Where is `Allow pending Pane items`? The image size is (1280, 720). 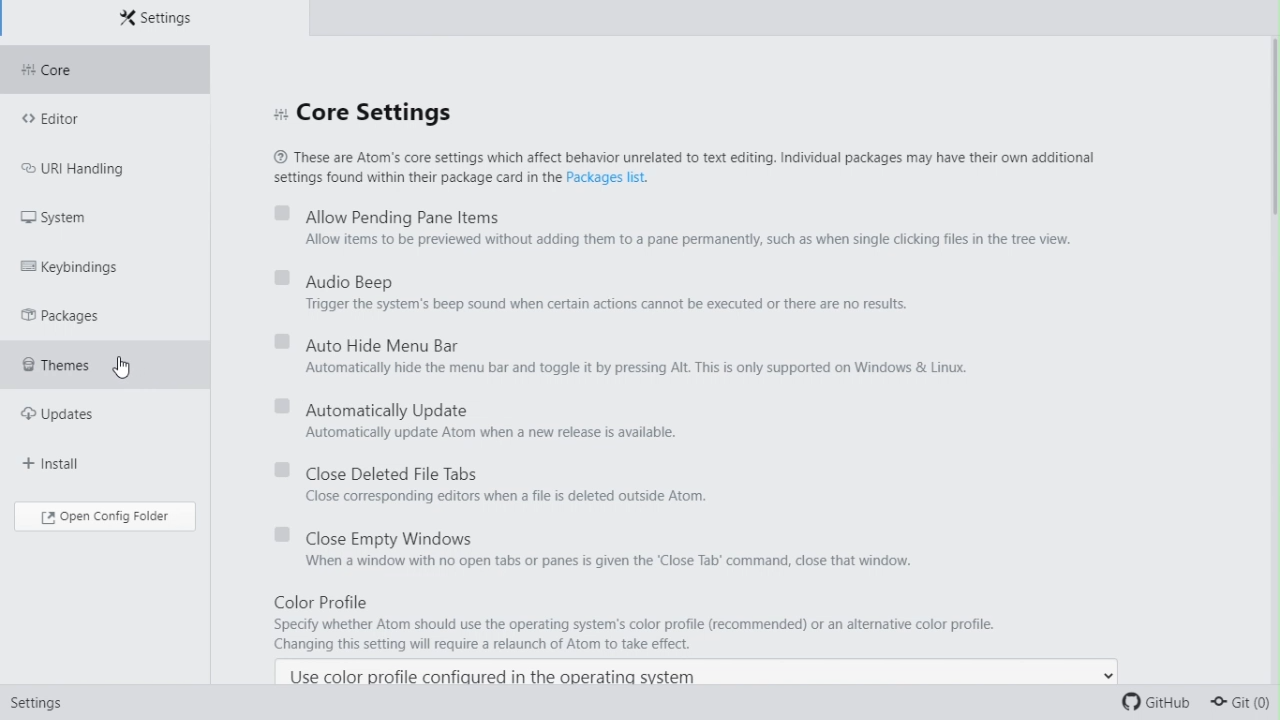 Allow pending Pane items is located at coordinates (671, 229).